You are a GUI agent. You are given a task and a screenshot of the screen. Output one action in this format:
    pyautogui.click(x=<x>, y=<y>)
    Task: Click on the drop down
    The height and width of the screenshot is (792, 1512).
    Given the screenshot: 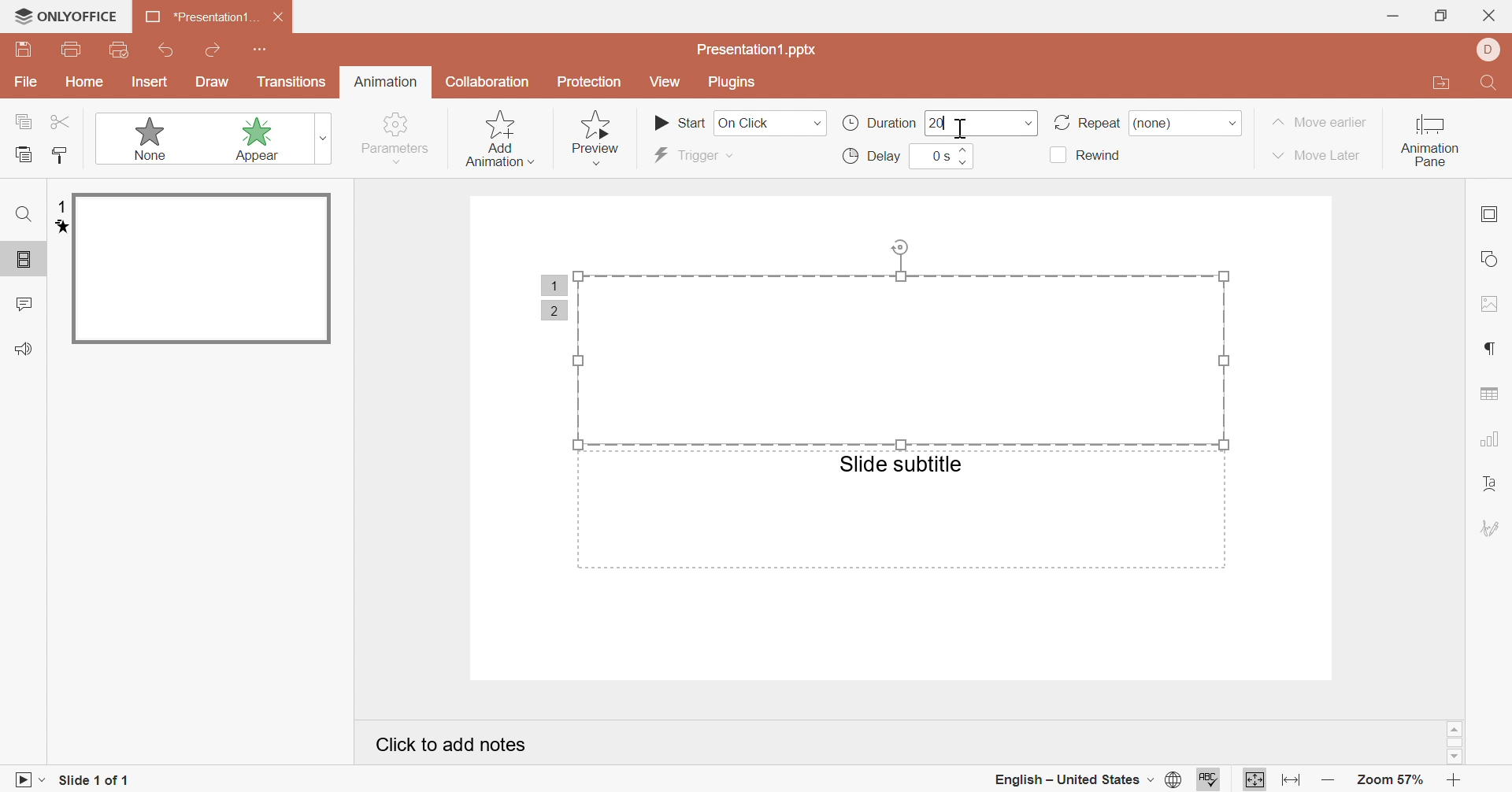 What is the action you would take?
    pyautogui.click(x=1029, y=124)
    